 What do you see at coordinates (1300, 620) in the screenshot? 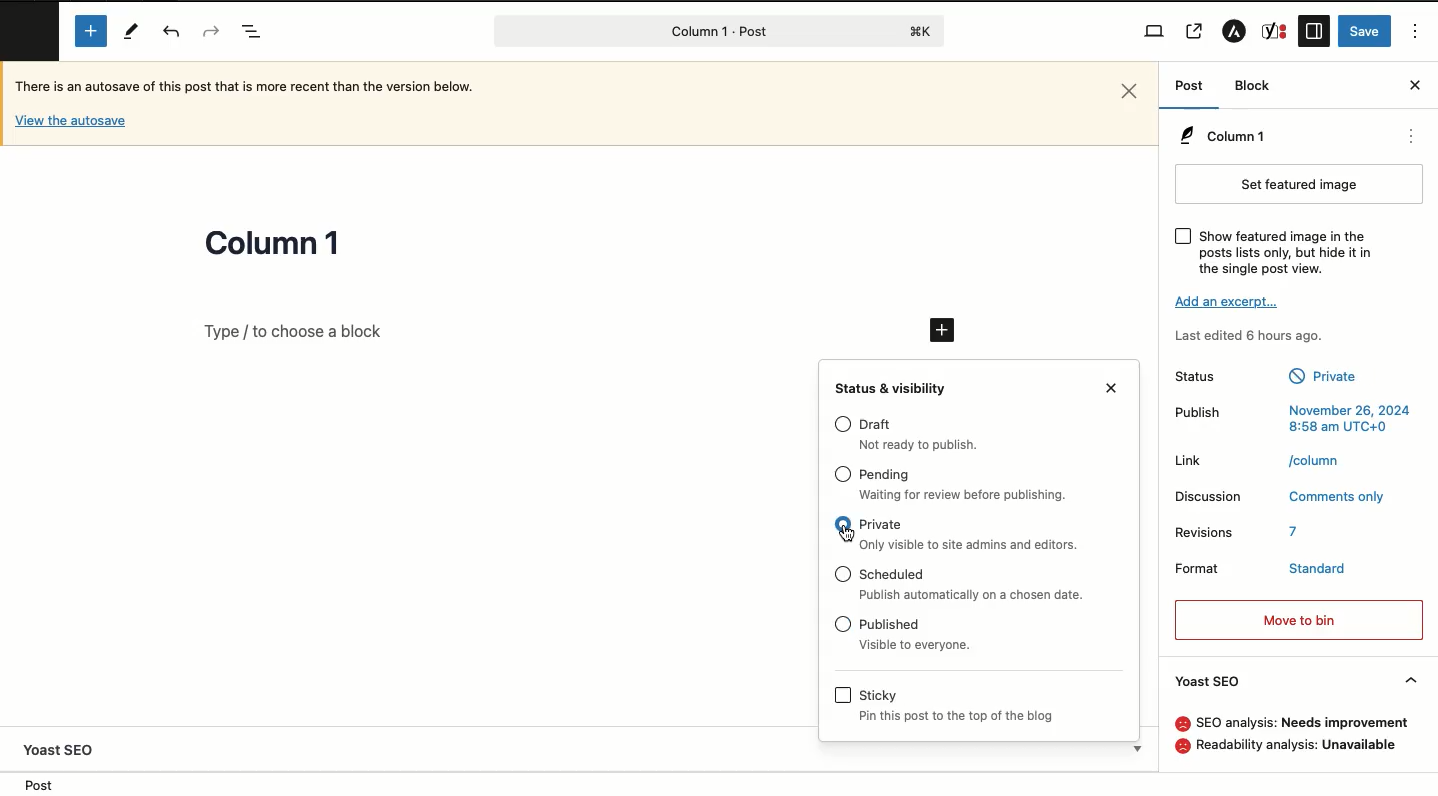
I see `Move to bin` at bounding box center [1300, 620].